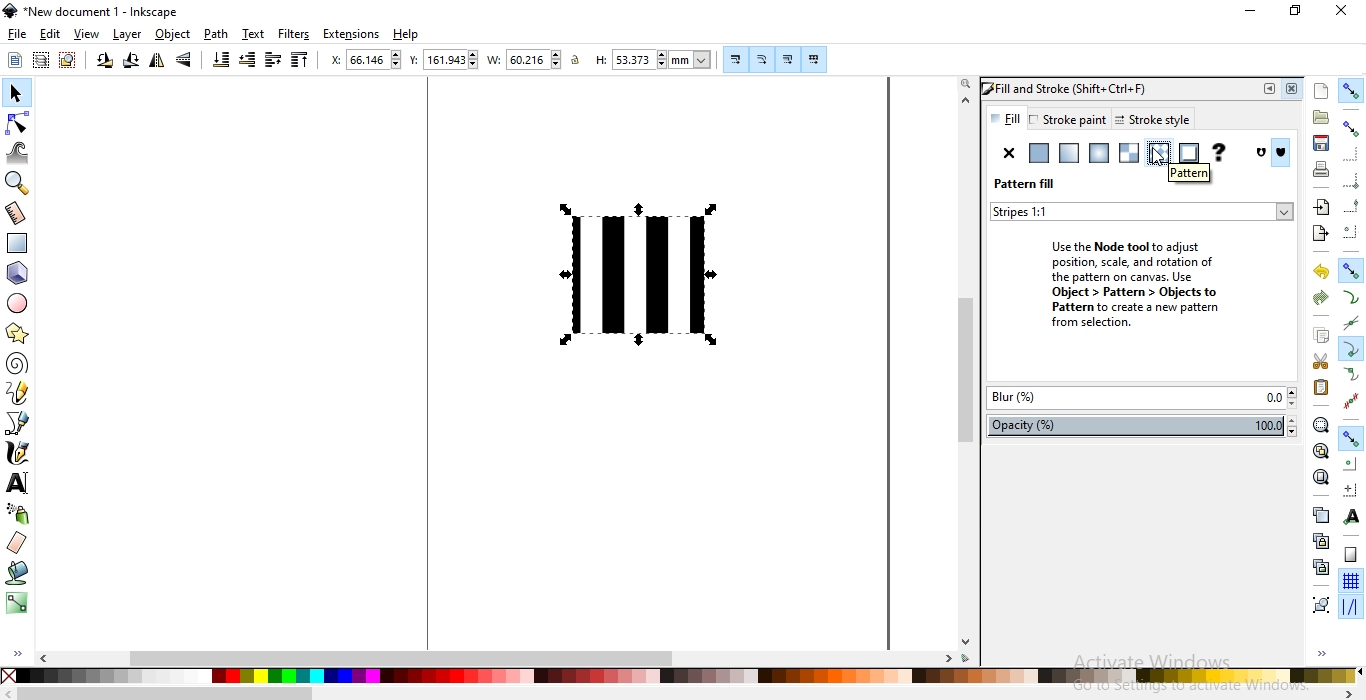 This screenshot has height=700, width=1366. I want to click on zoom in or out, so click(20, 182).